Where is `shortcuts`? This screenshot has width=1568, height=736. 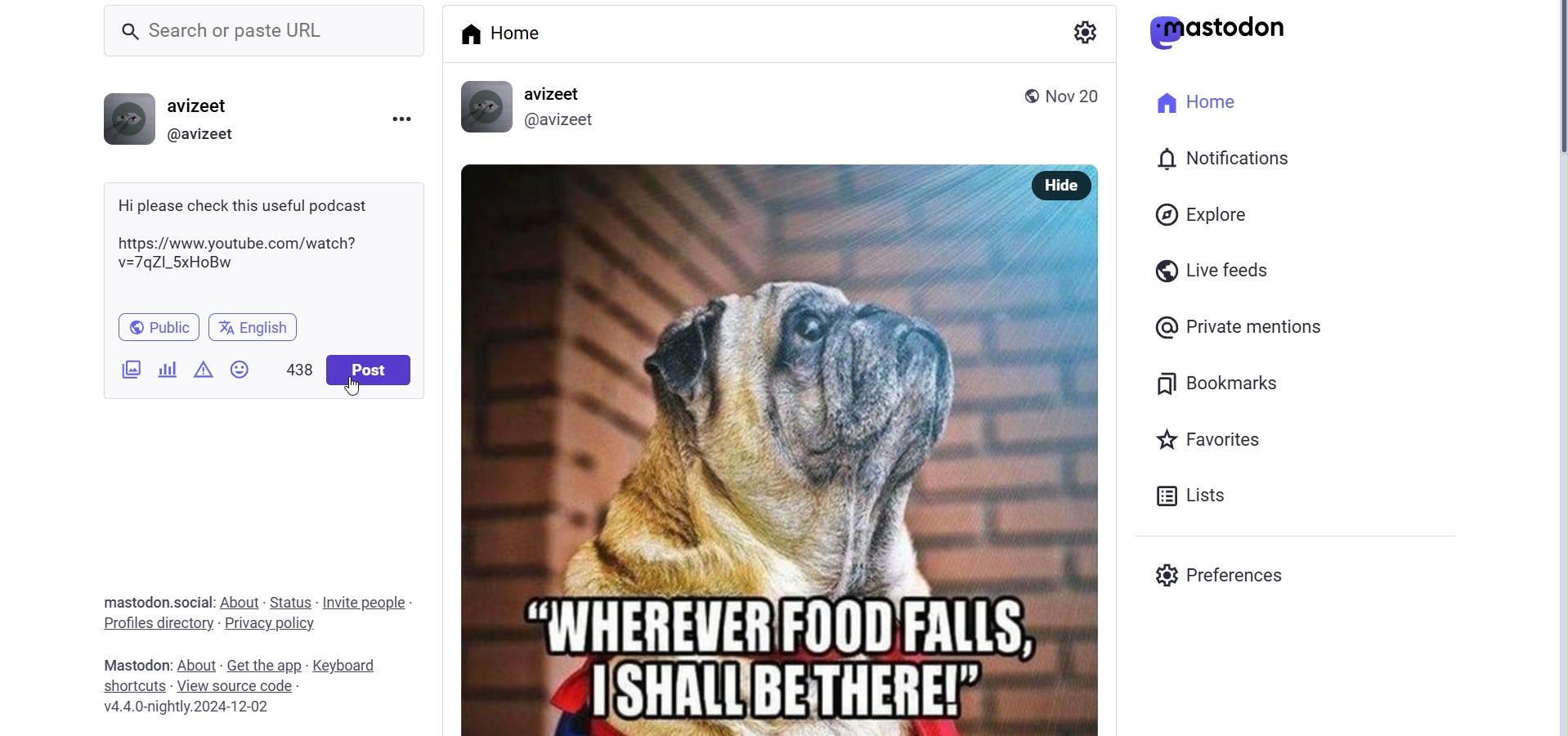 shortcuts is located at coordinates (133, 686).